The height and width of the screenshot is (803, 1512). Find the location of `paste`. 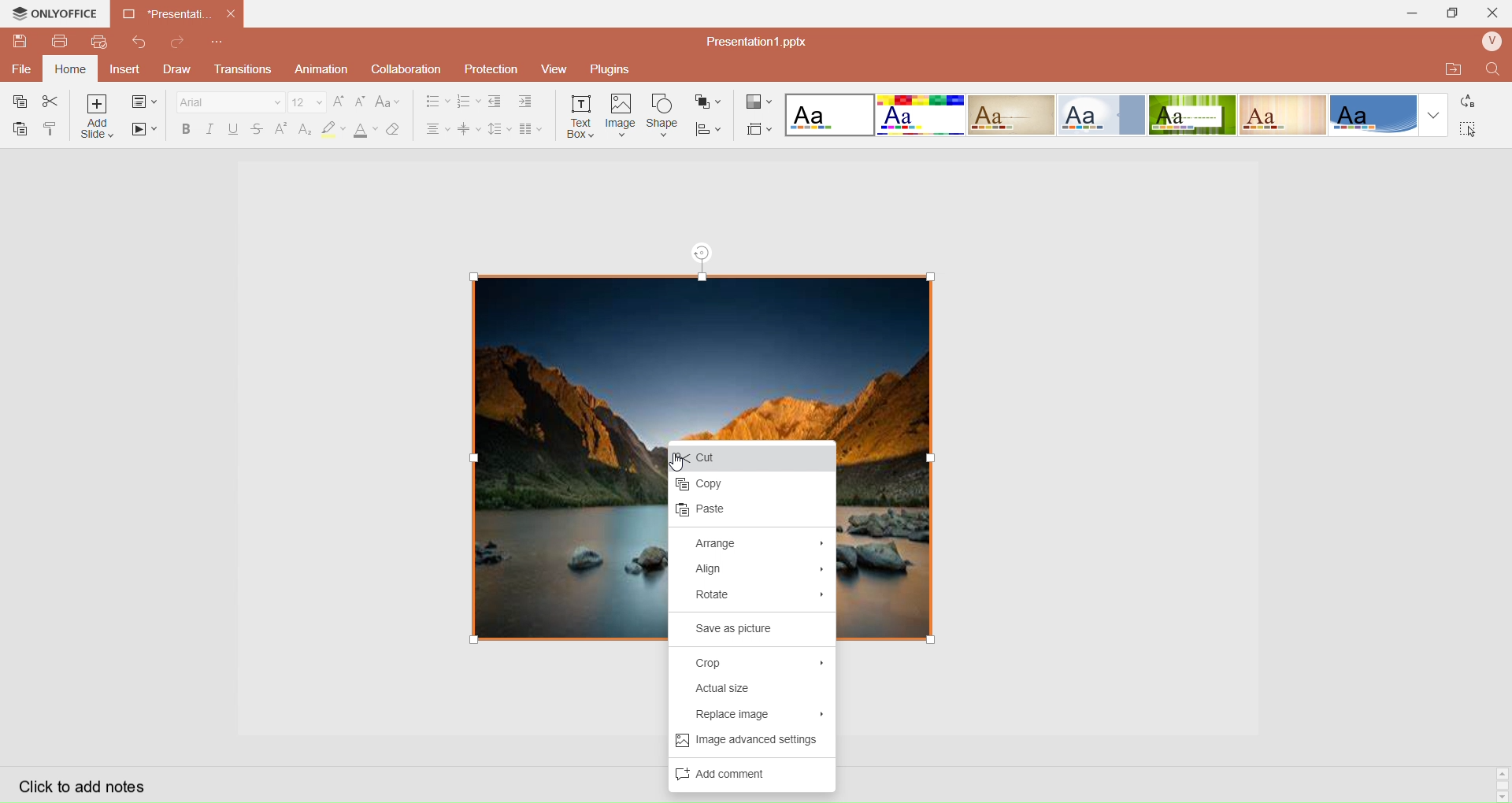

paste is located at coordinates (752, 510).